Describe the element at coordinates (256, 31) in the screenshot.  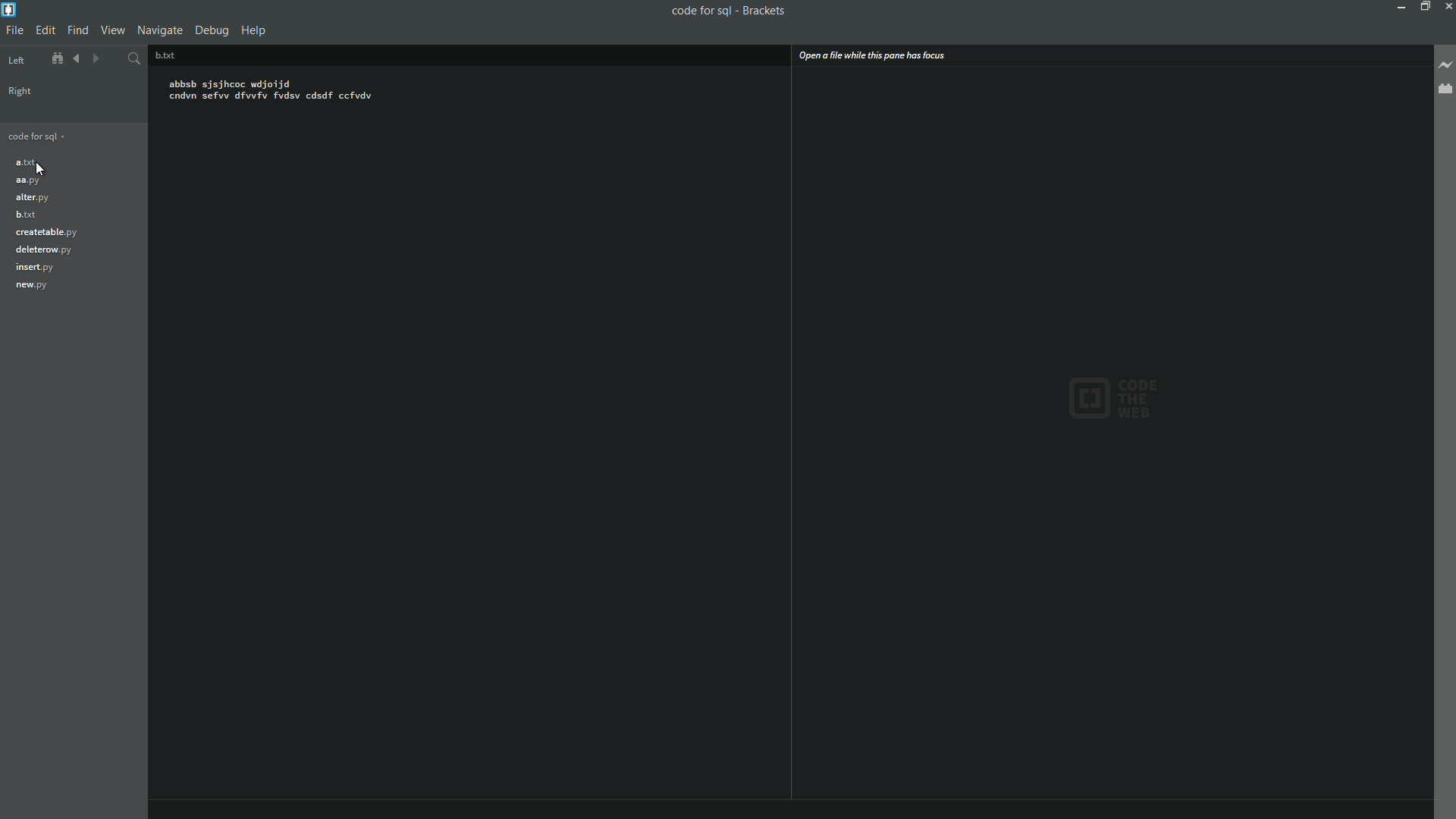
I see `Help menu` at that location.